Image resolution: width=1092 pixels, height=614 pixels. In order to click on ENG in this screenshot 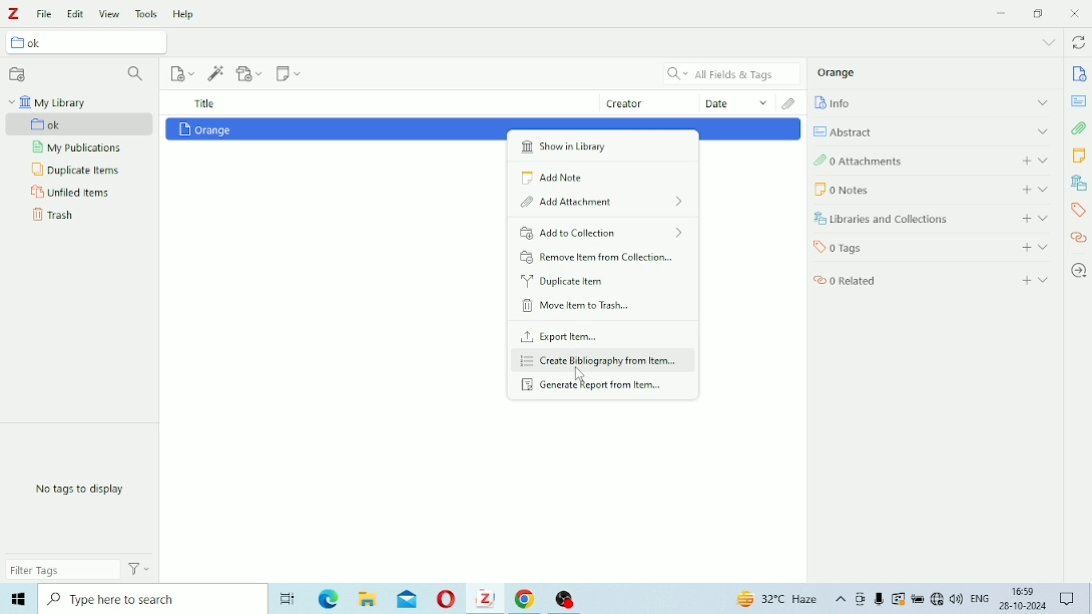, I will do `click(980, 597)`.